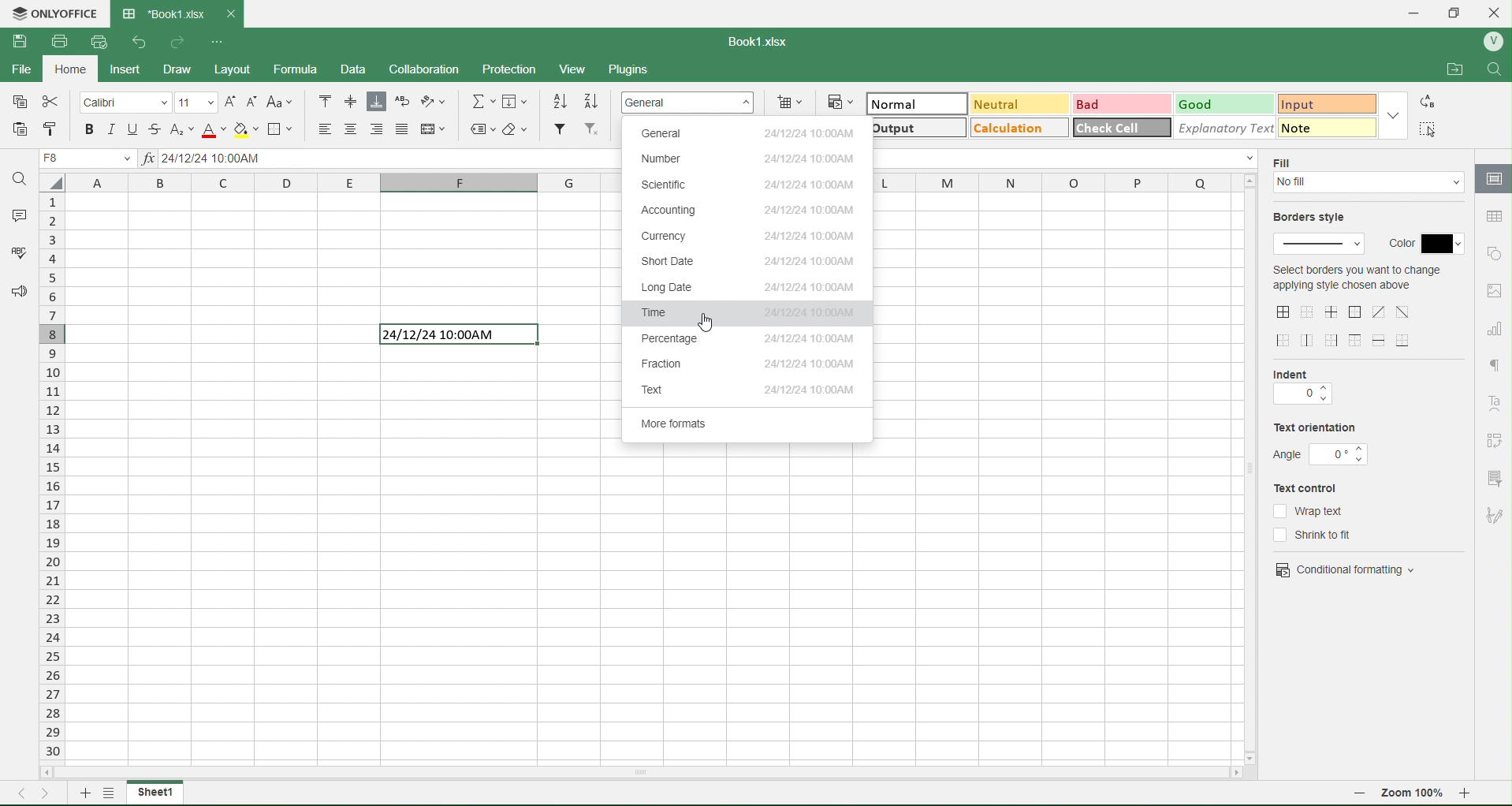 The height and width of the screenshot is (806, 1512). Describe the element at coordinates (1287, 162) in the screenshot. I see `fill` at that location.